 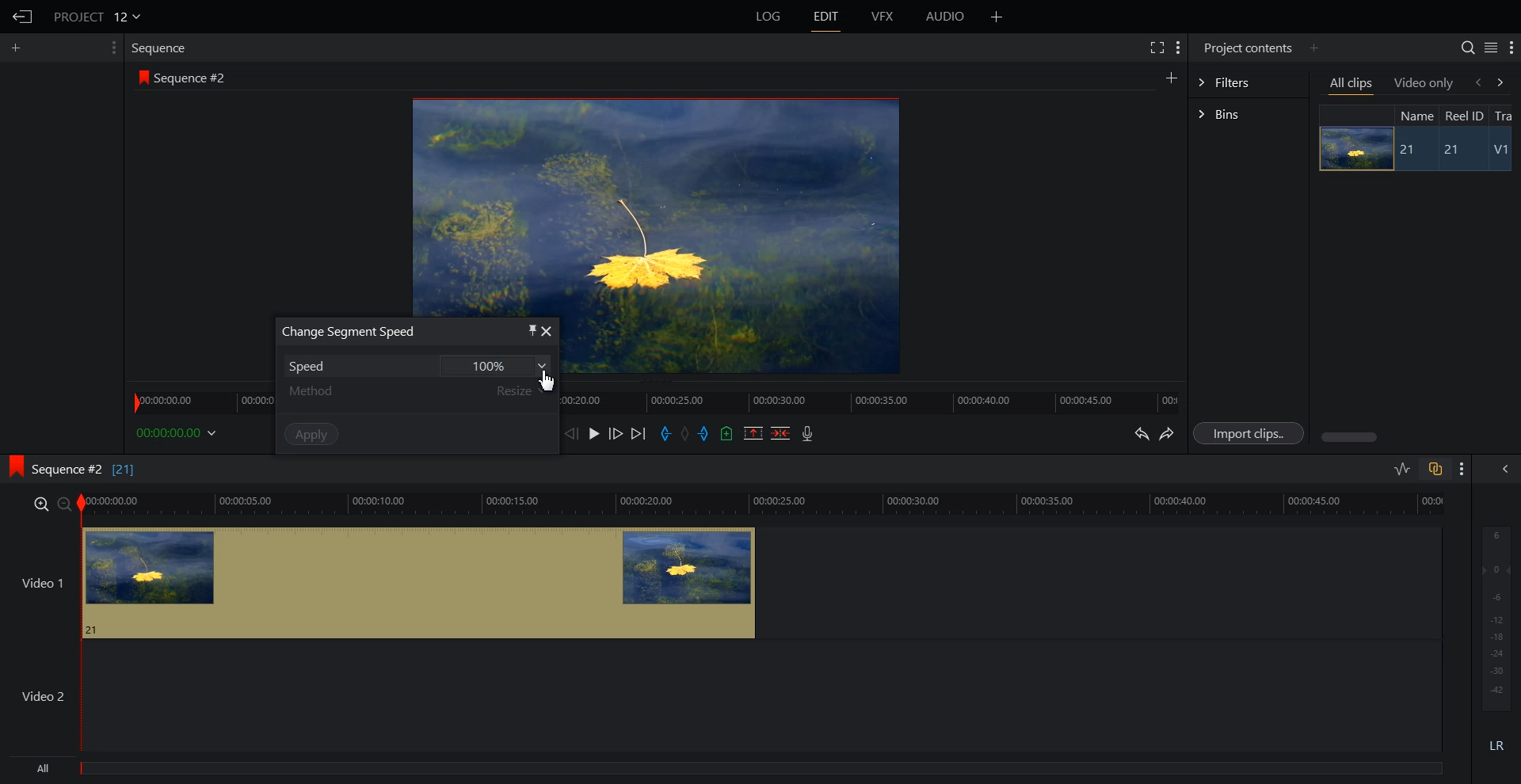 What do you see at coordinates (947, 17) in the screenshot?
I see `AUDIO` at bounding box center [947, 17].